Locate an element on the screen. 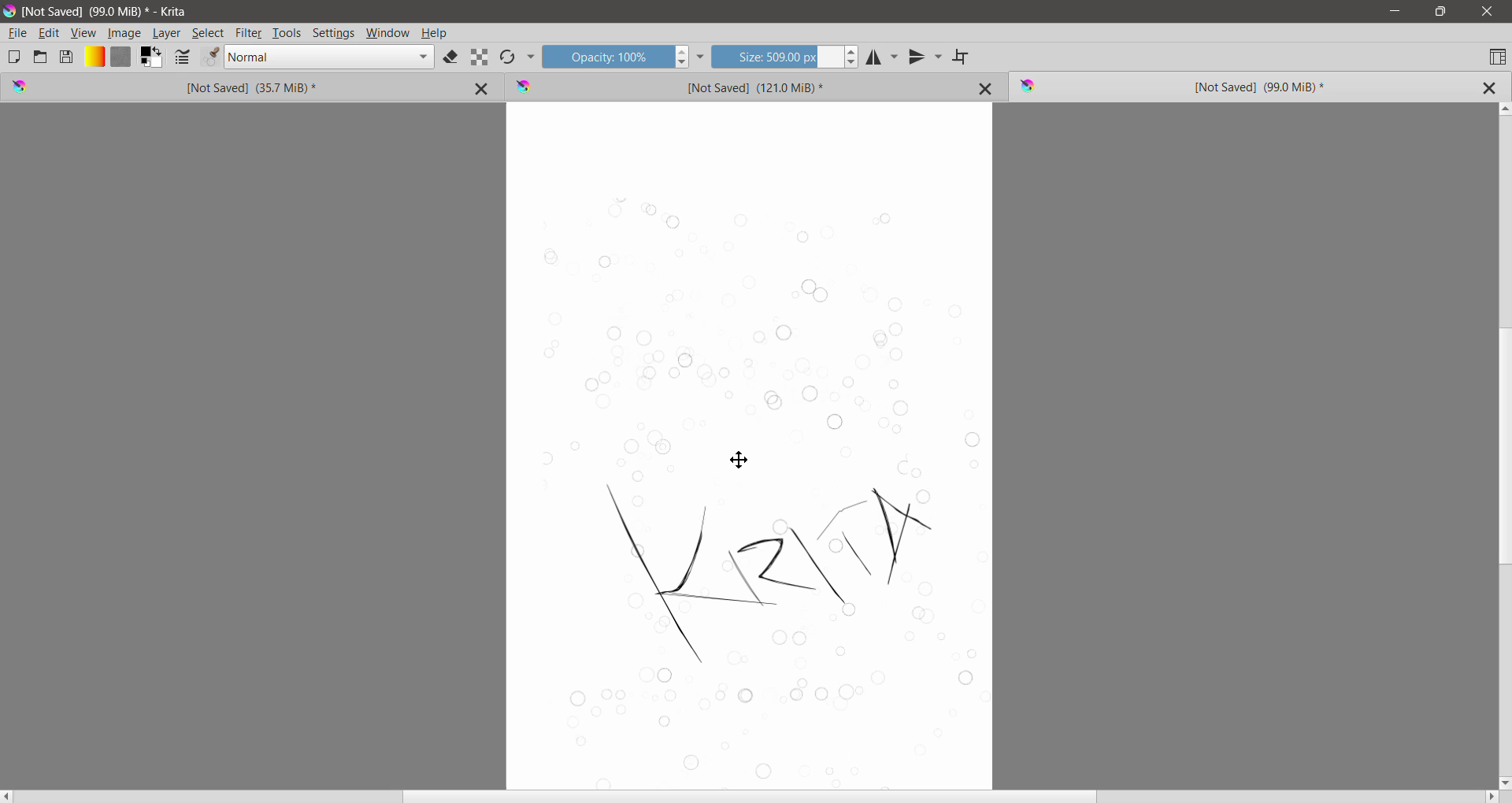 Image resolution: width=1512 pixels, height=803 pixels. Save is located at coordinates (67, 56).